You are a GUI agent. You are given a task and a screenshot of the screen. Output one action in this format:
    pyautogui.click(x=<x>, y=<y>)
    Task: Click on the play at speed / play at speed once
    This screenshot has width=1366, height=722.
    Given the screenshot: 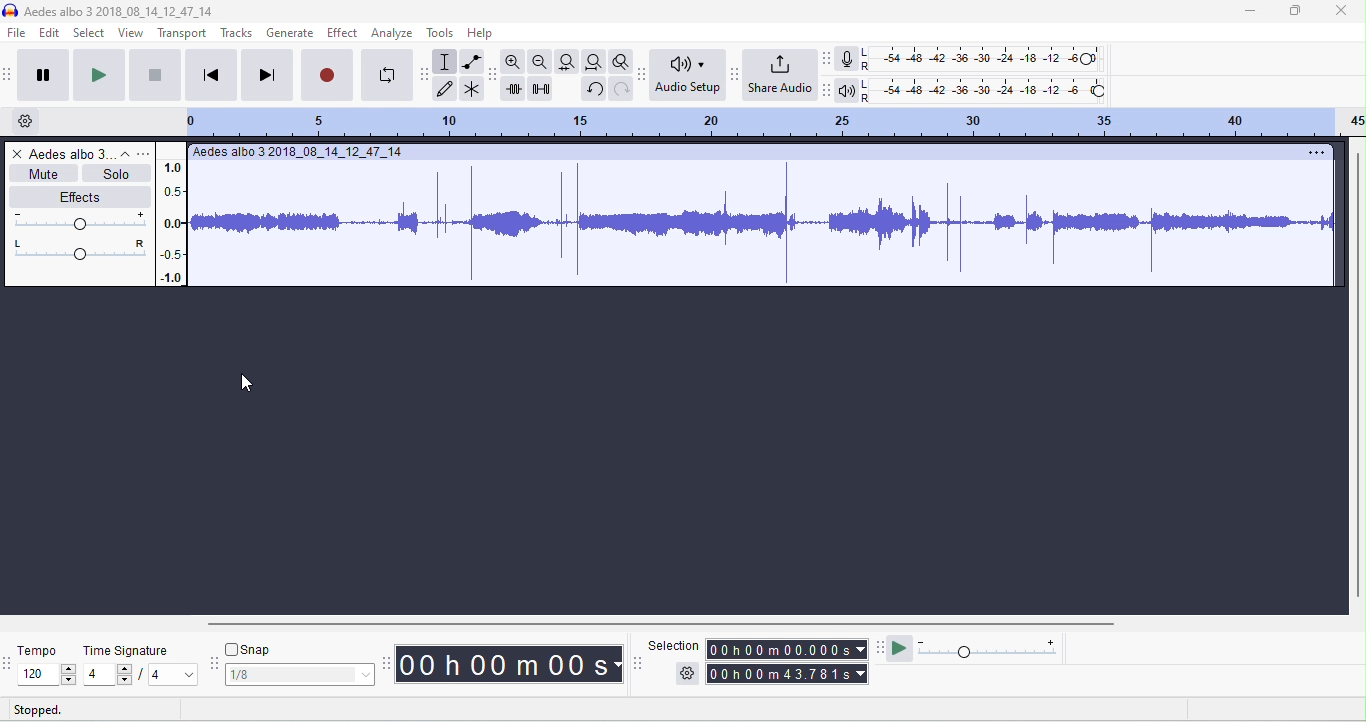 What is the action you would take?
    pyautogui.click(x=899, y=650)
    